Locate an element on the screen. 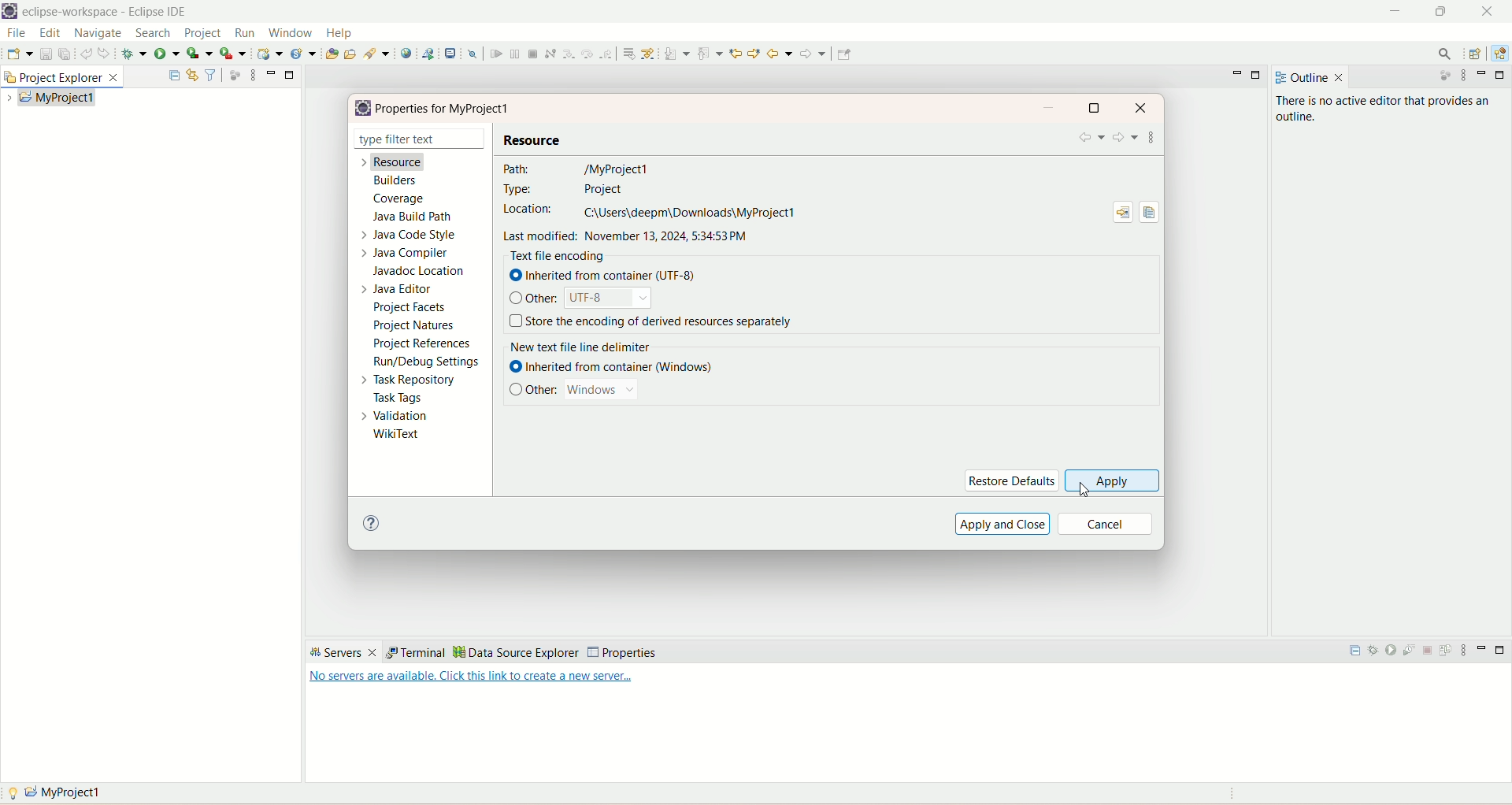 This screenshot has height=805, width=1512. create a dynamic web service is located at coordinates (272, 54).